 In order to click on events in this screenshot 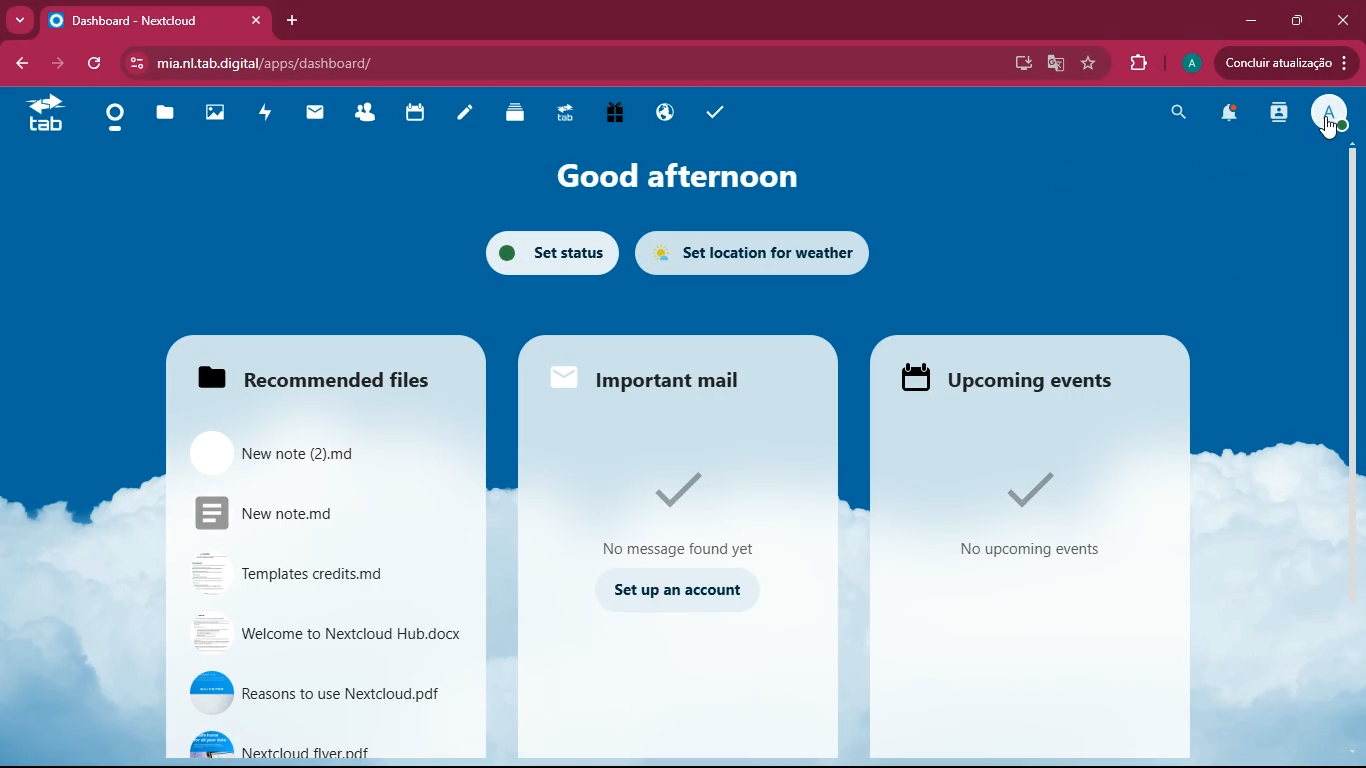, I will do `click(1040, 519)`.